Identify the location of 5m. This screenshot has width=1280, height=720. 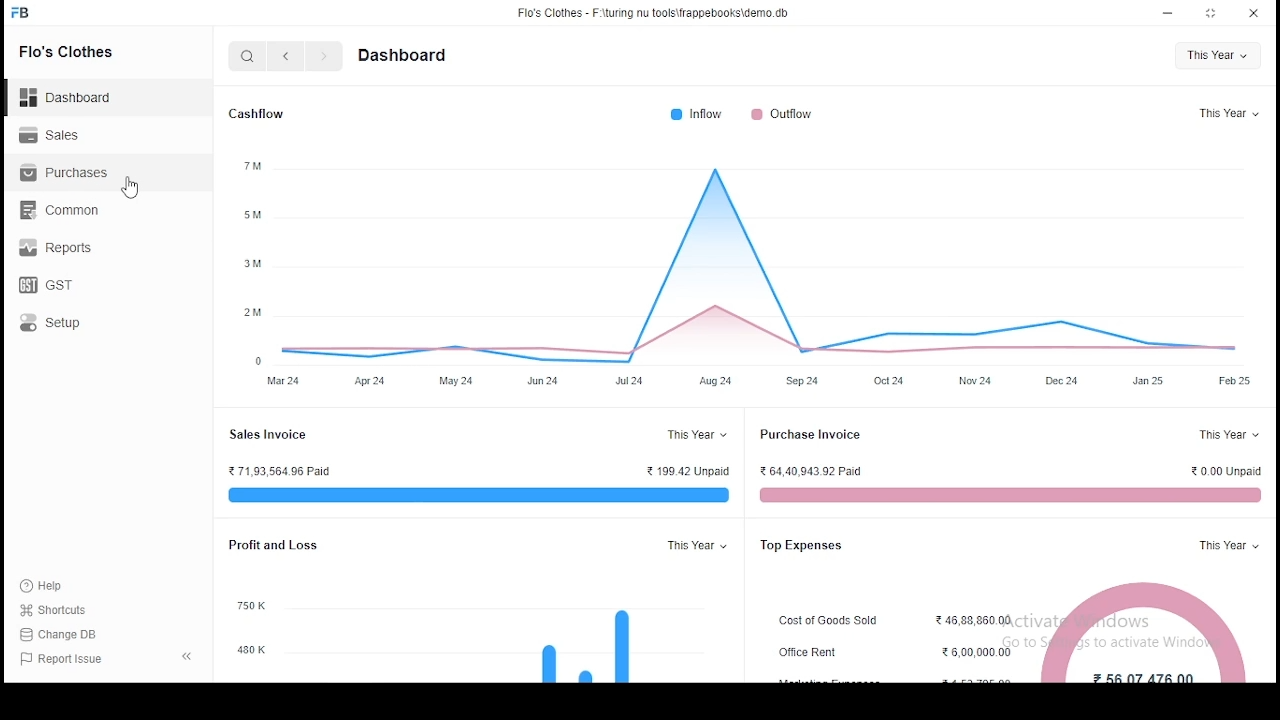
(256, 214).